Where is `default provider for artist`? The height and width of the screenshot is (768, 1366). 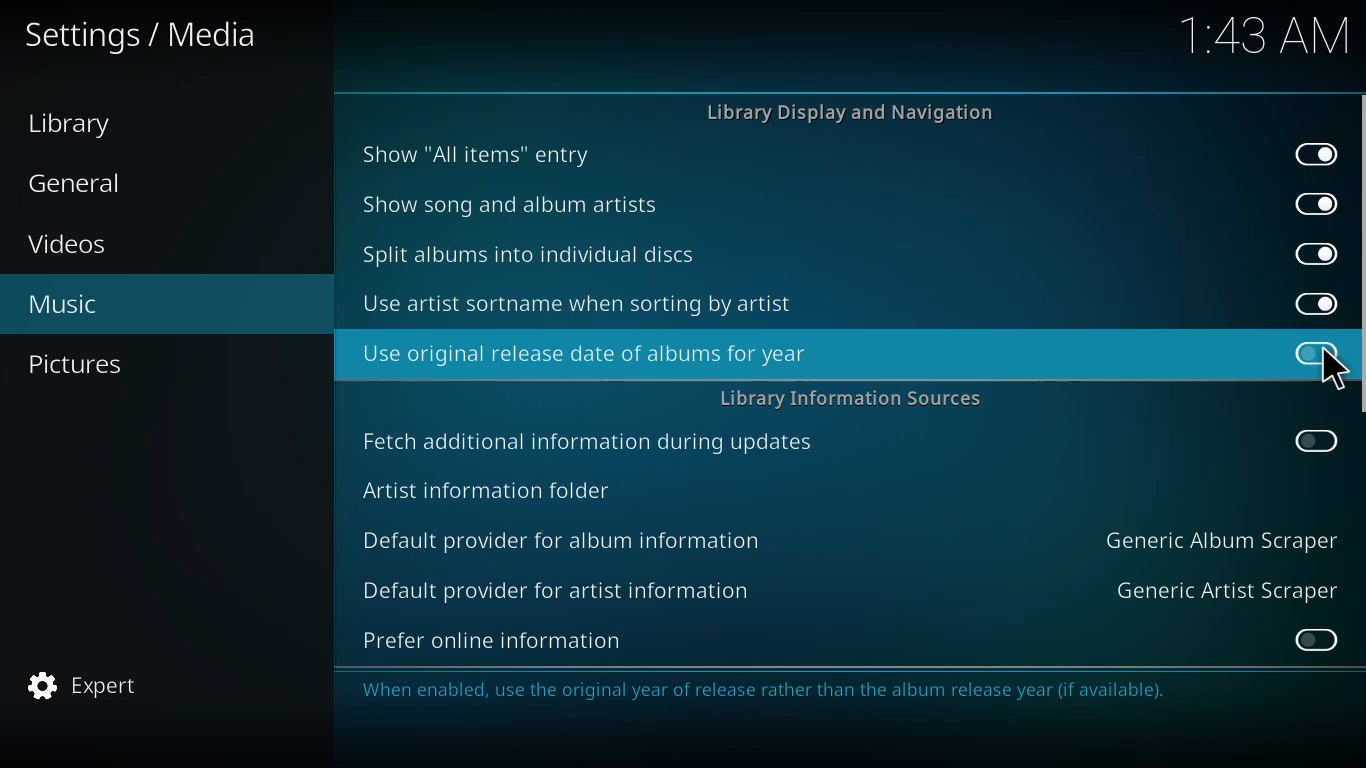
default provider for artist is located at coordinates (555, 589).